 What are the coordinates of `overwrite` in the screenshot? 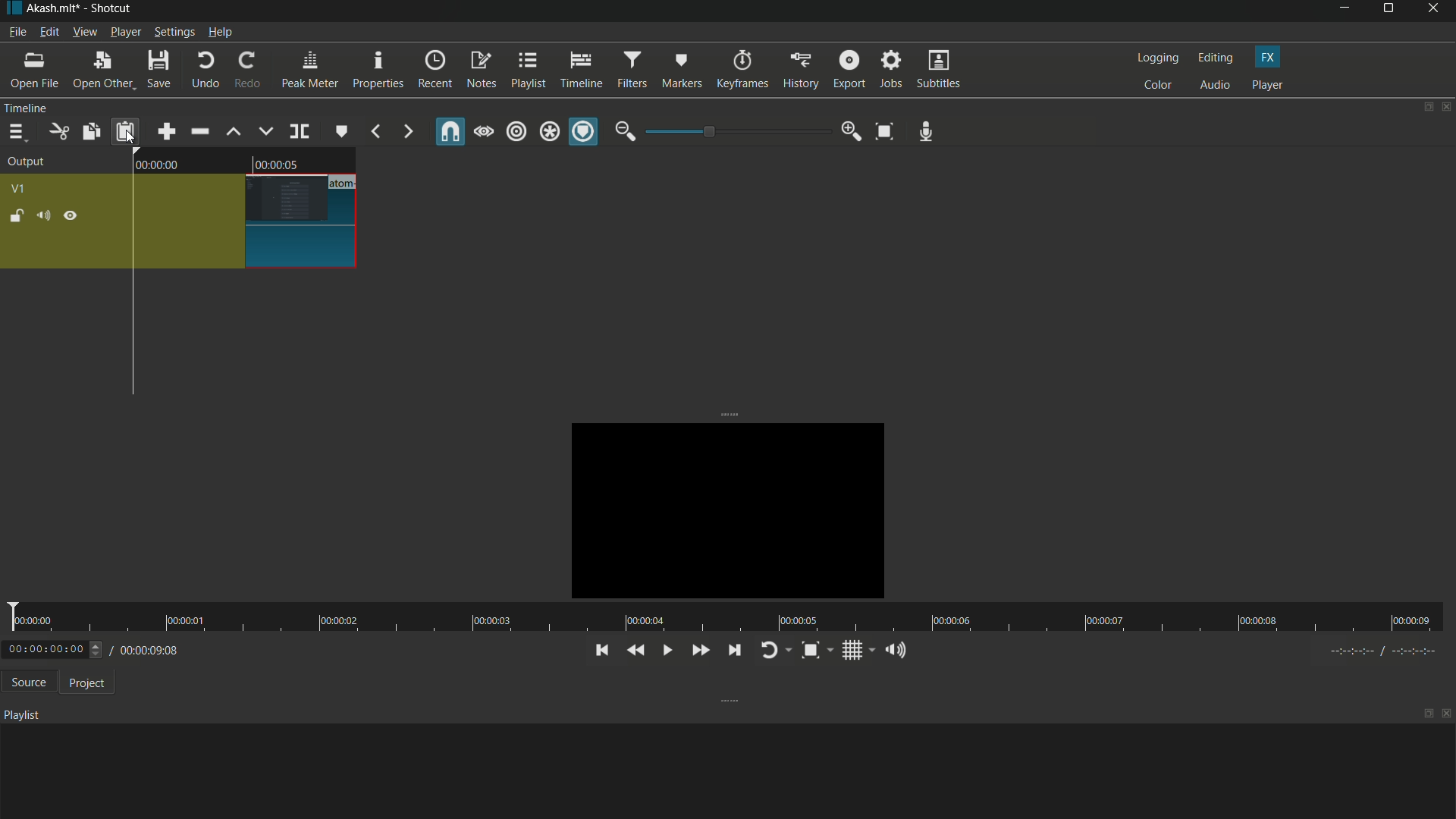 It's located at (266, 130).